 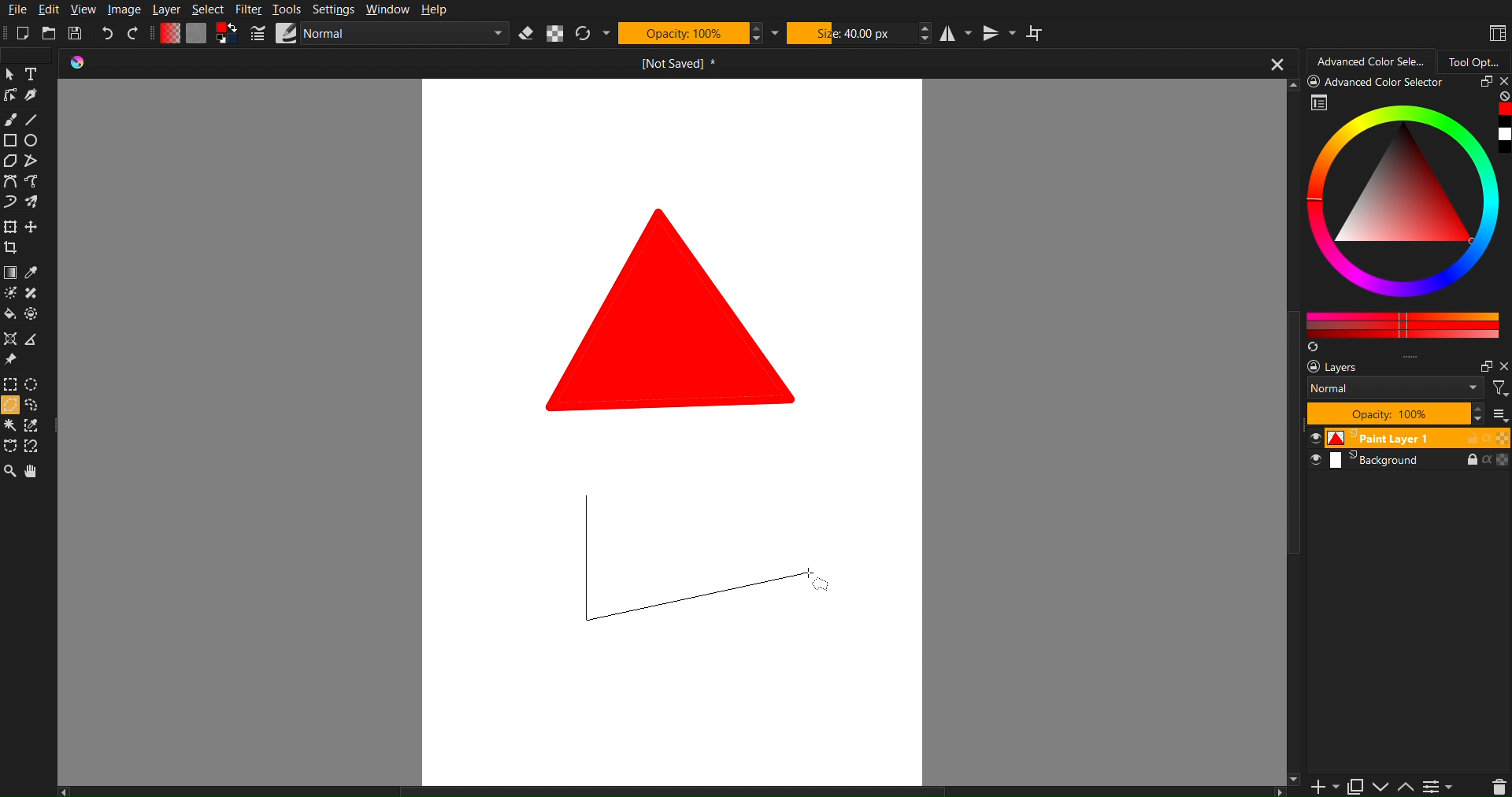 What do you see at coordinates (106, 33) in the screenshot?
I see `Undo` at bounding box center [106, 33].